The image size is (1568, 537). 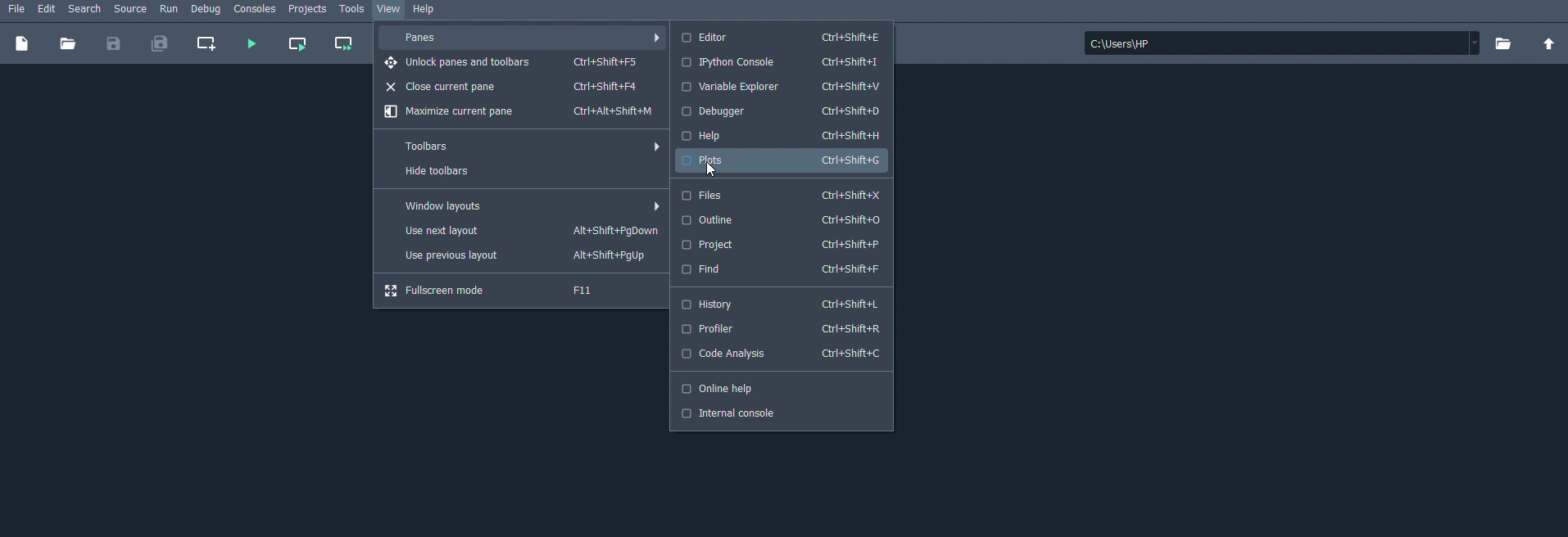 I want to click on Projects, so click(x=782, y=246).